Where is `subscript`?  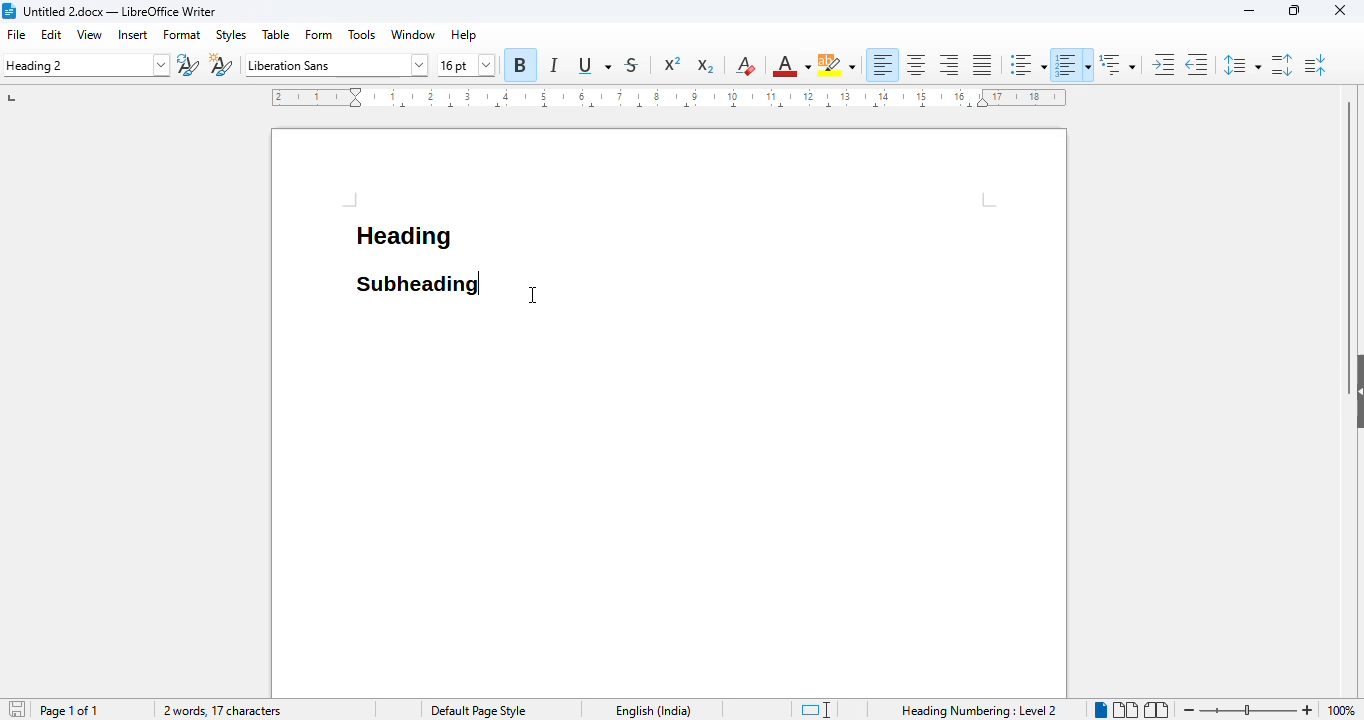
subscript is located at coordinates (707, 67).